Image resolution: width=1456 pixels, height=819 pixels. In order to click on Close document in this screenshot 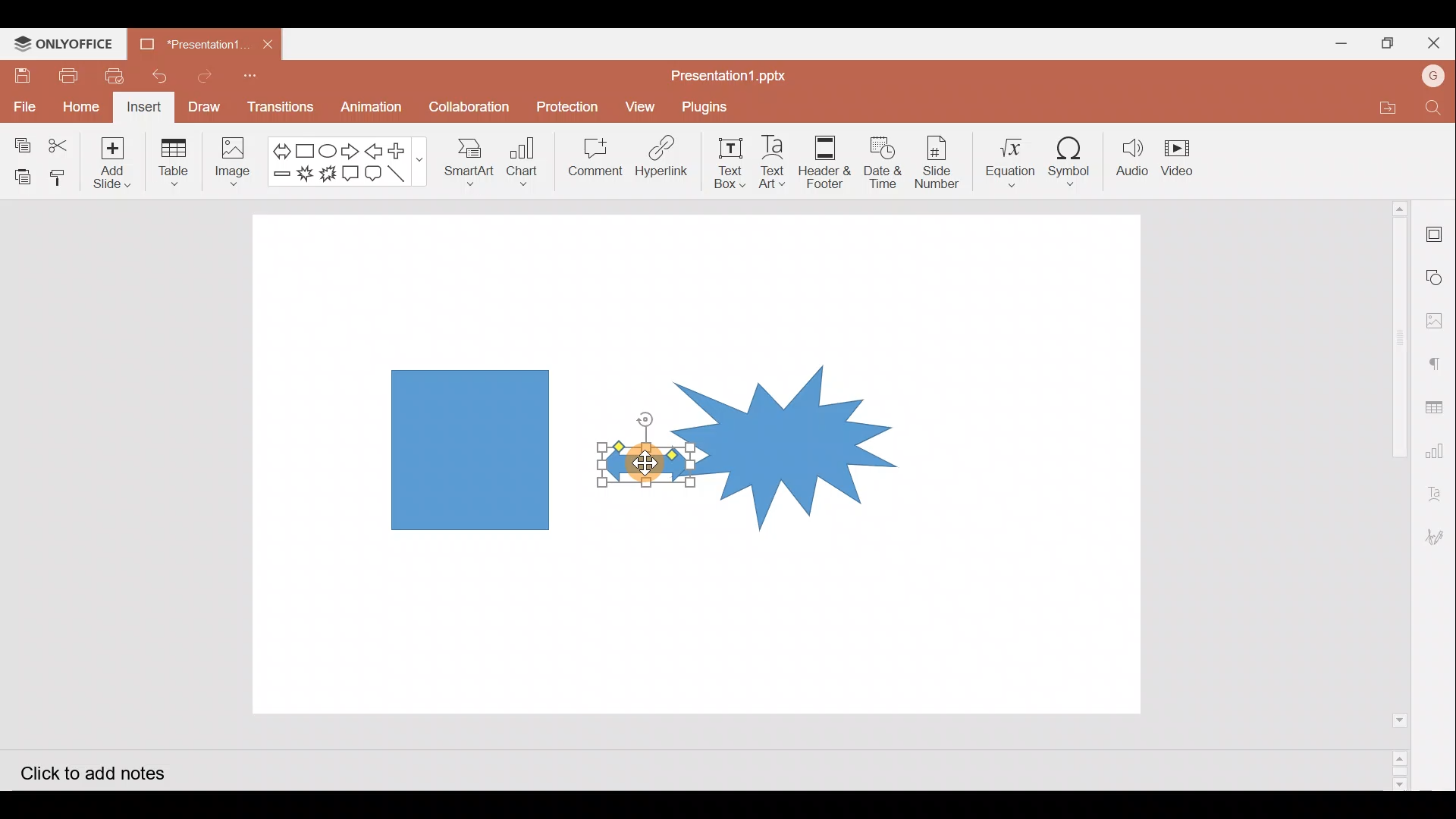, I will do `click(270, 42)`.